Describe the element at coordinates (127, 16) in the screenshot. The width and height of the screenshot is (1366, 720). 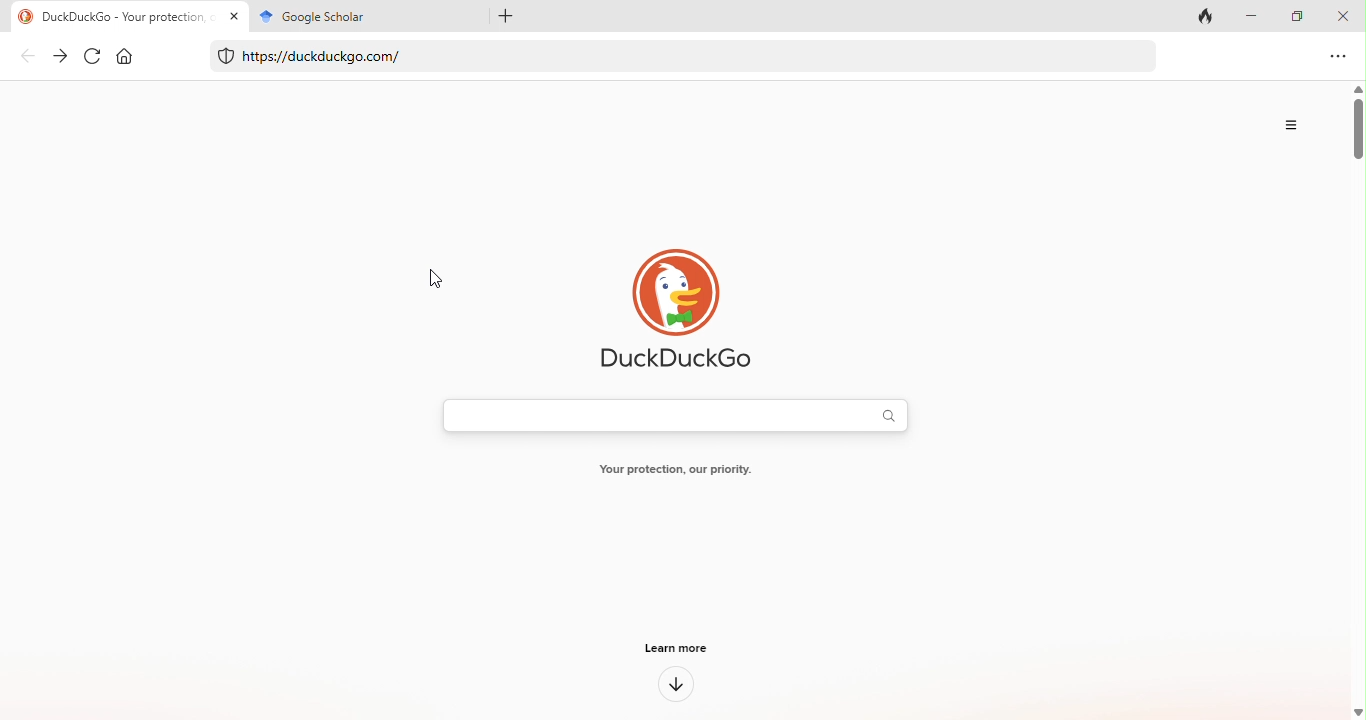
I see `title` at that location.